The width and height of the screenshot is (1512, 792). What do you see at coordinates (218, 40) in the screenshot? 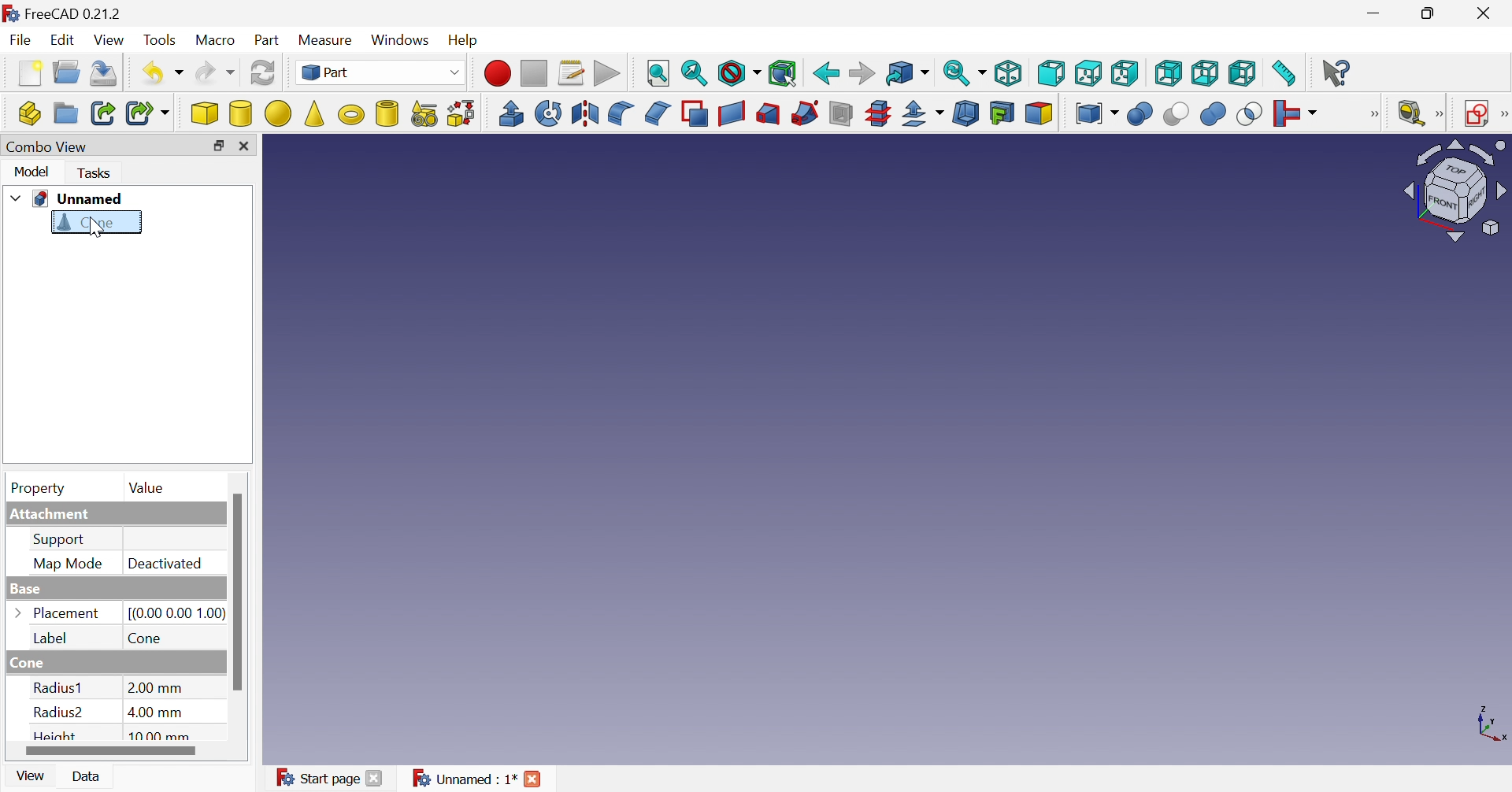
I see `Macro` at bounding box center [218, 40].